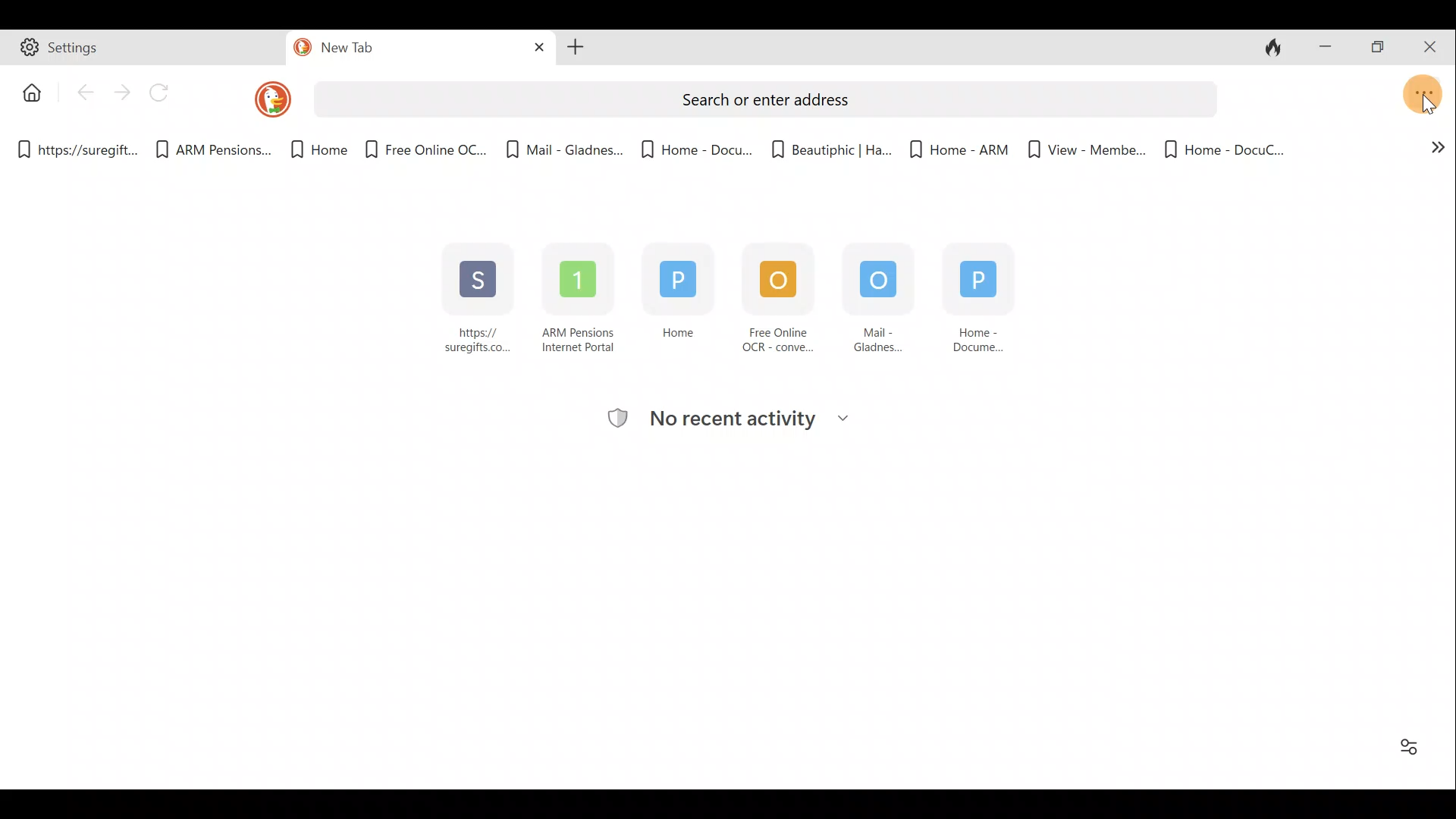 The image size is (1456, 819). I want to click on Bookmark 6, so click(695, 149).